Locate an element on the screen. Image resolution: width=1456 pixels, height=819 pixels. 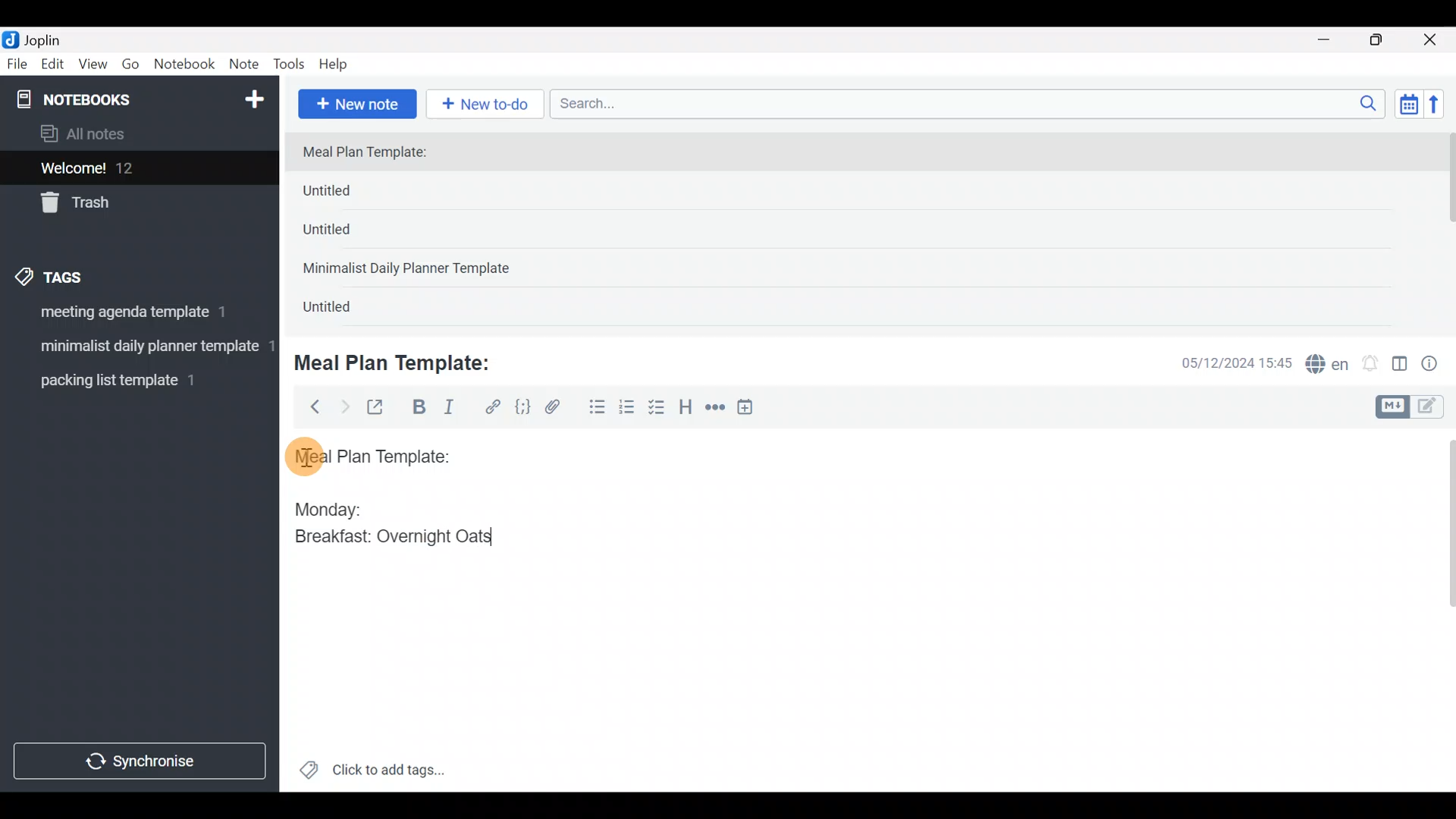
Code is located at coordinates (521, 406).